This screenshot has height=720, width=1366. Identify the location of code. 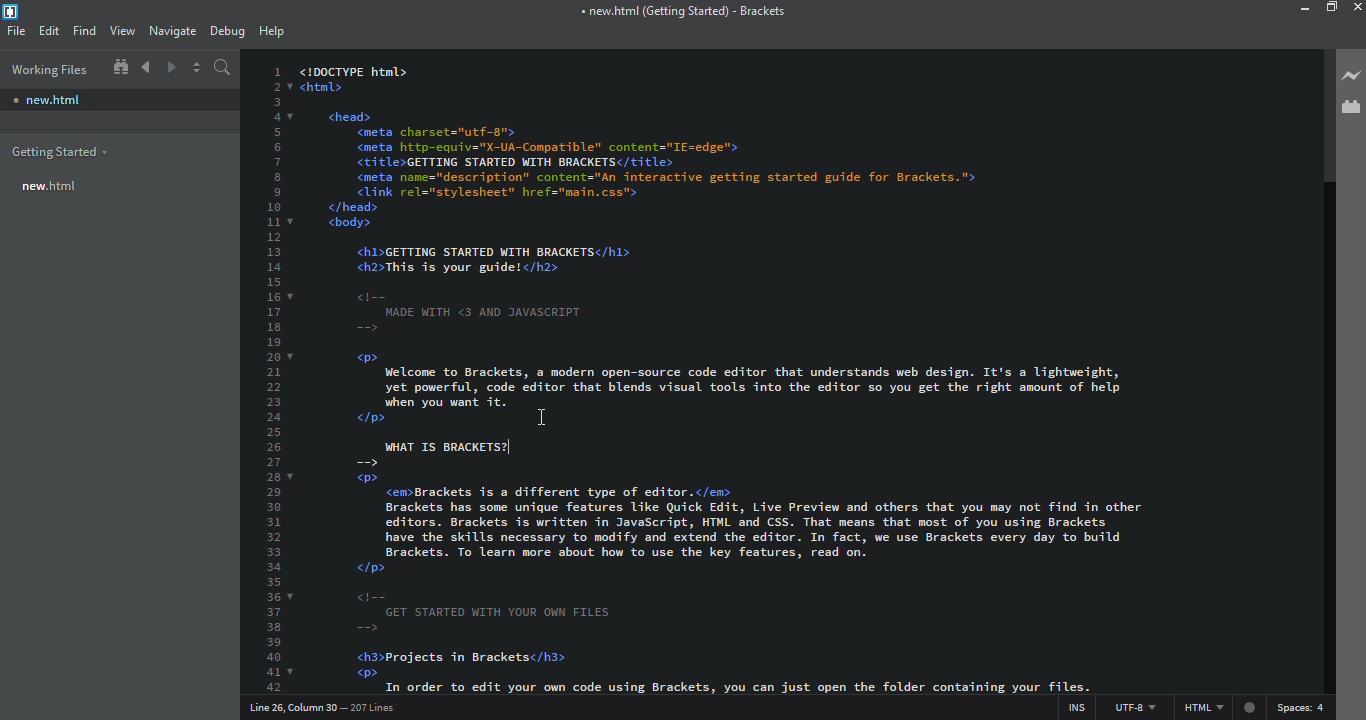
(438, 449).